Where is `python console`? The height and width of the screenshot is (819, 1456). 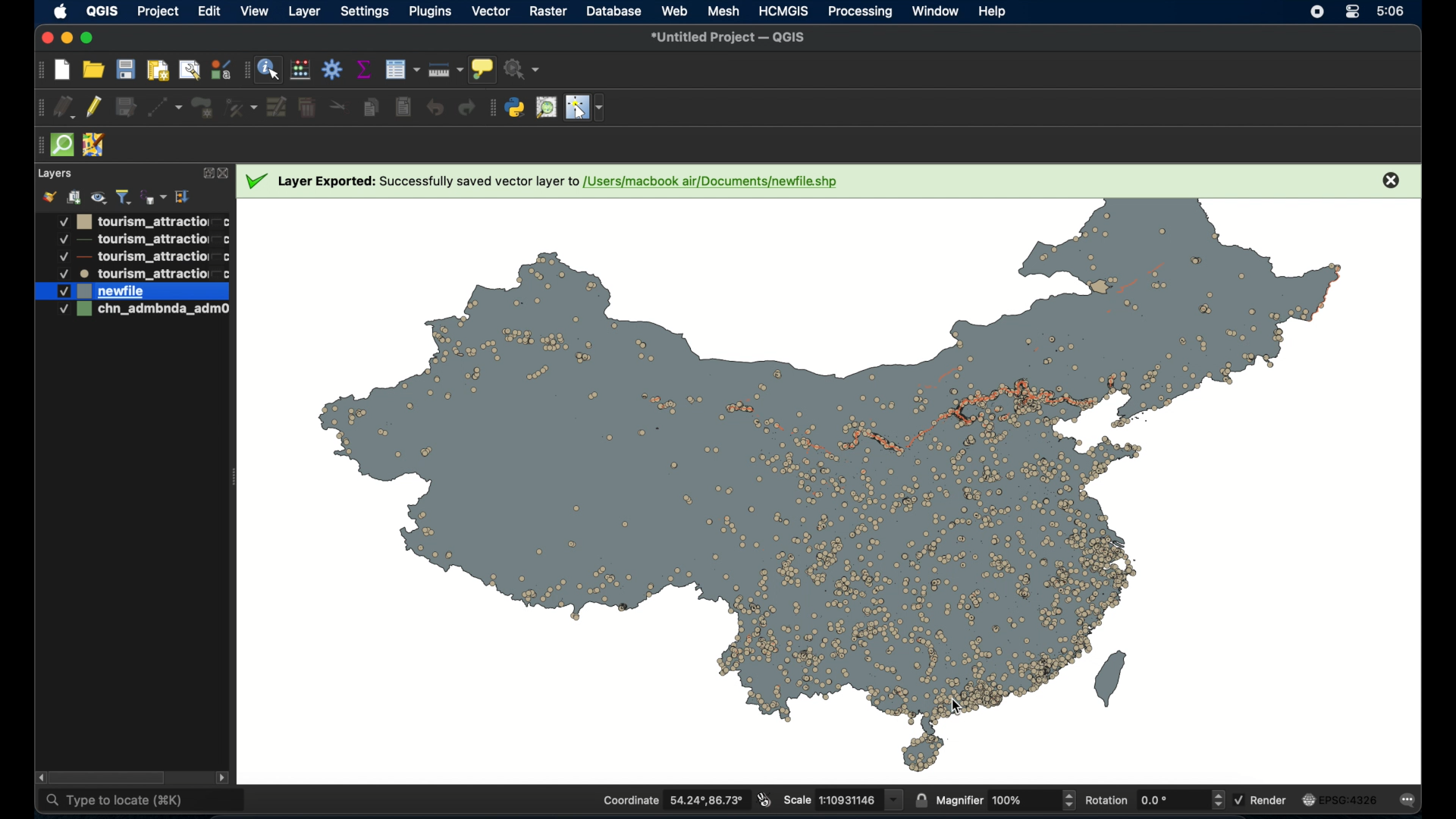 python console is located at coordinates (515, 108).